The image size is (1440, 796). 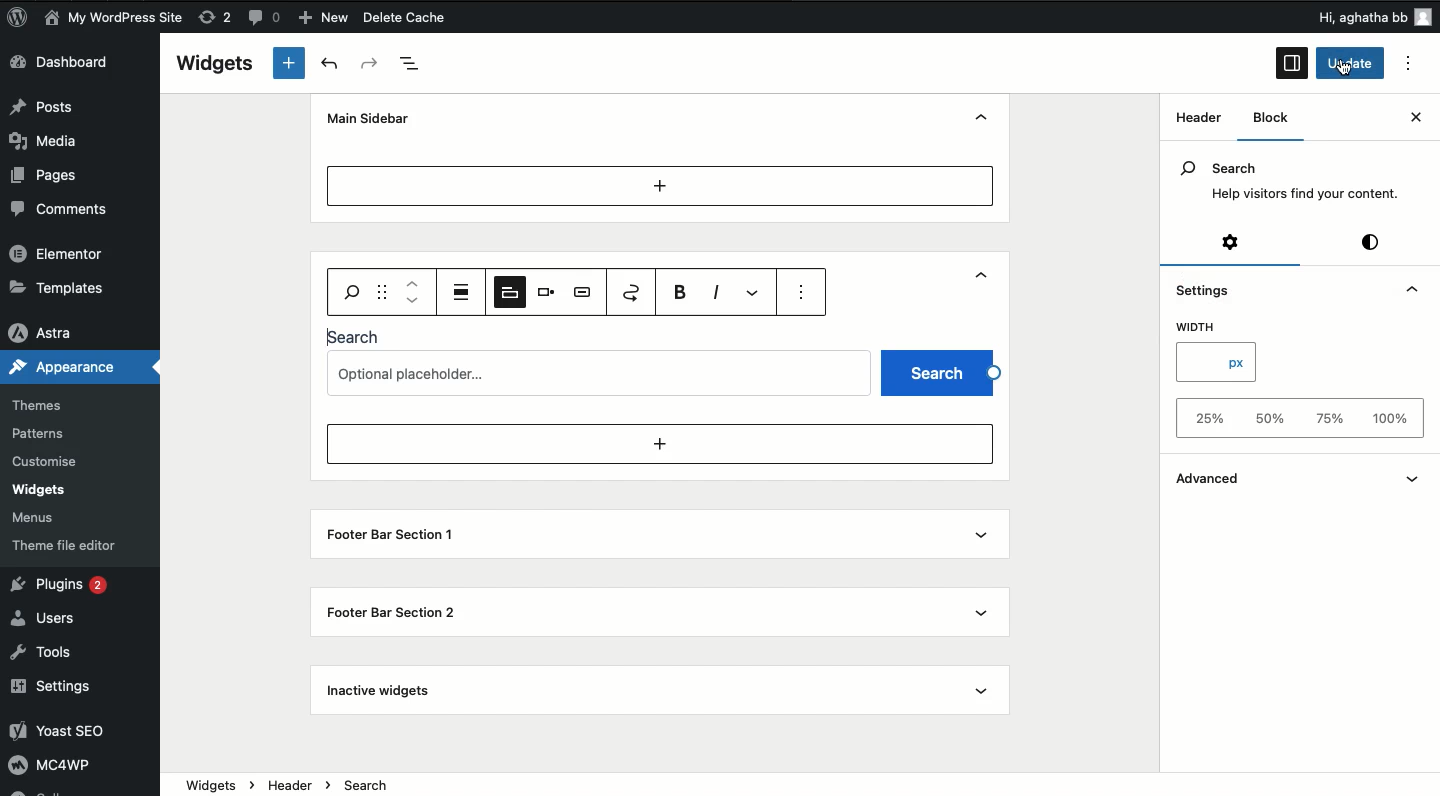 I want to click on Yoast SEO, so click(x=73, y=733).